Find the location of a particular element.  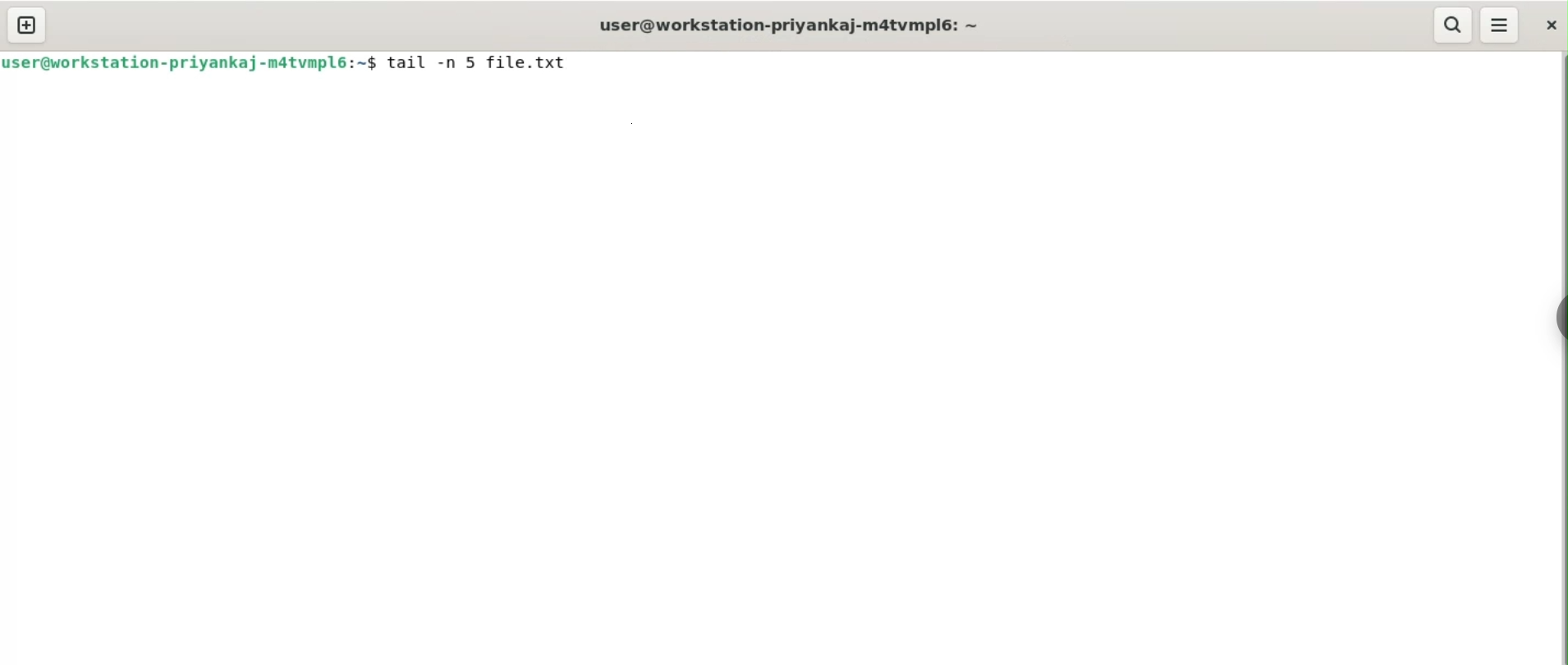

menu is located at coordinates (1501, 25).